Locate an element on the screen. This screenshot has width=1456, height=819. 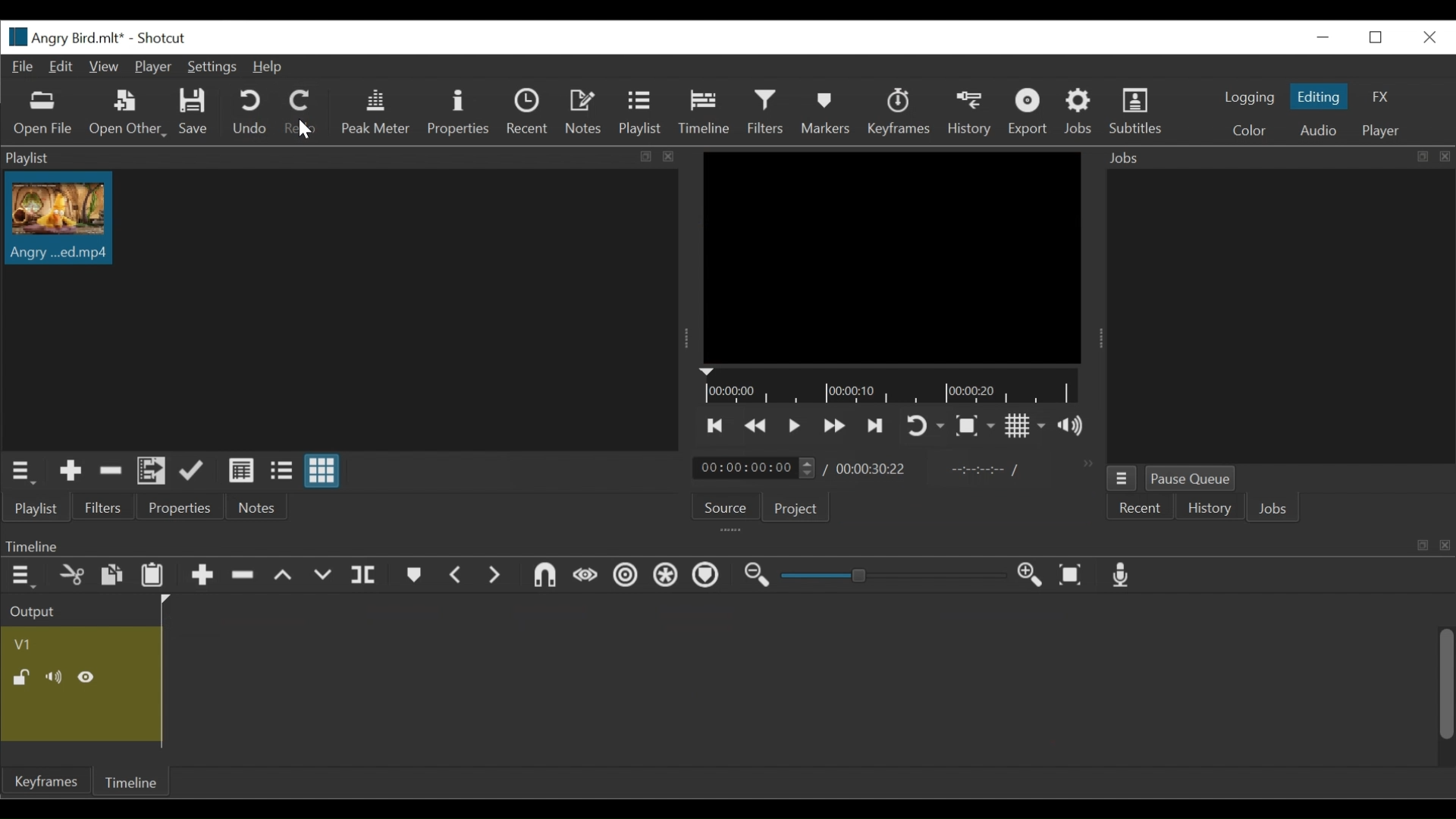
Play quickly forward is located at coordinates (756, 425).